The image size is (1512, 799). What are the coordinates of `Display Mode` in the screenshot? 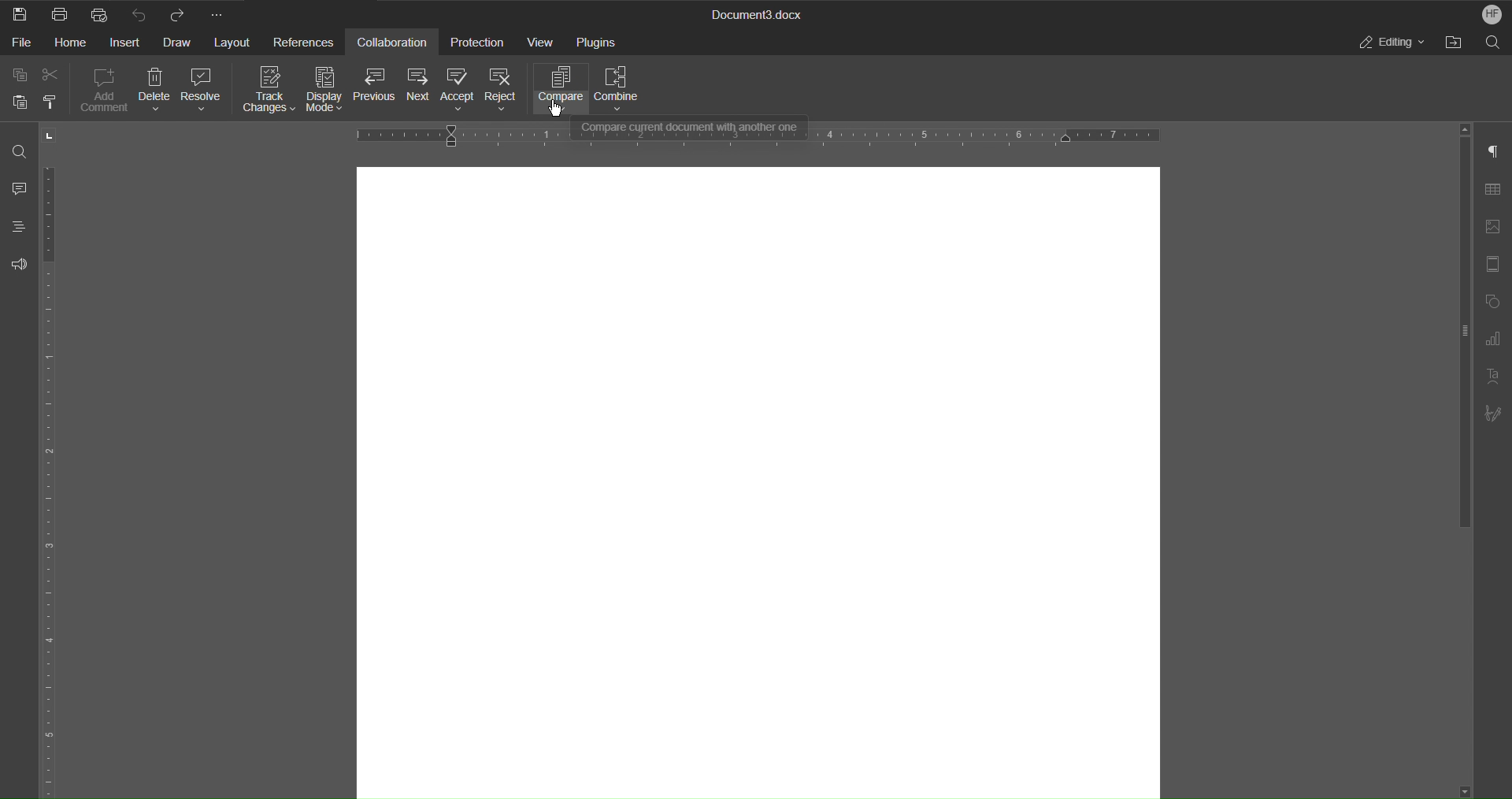 It's located at (327, 88).